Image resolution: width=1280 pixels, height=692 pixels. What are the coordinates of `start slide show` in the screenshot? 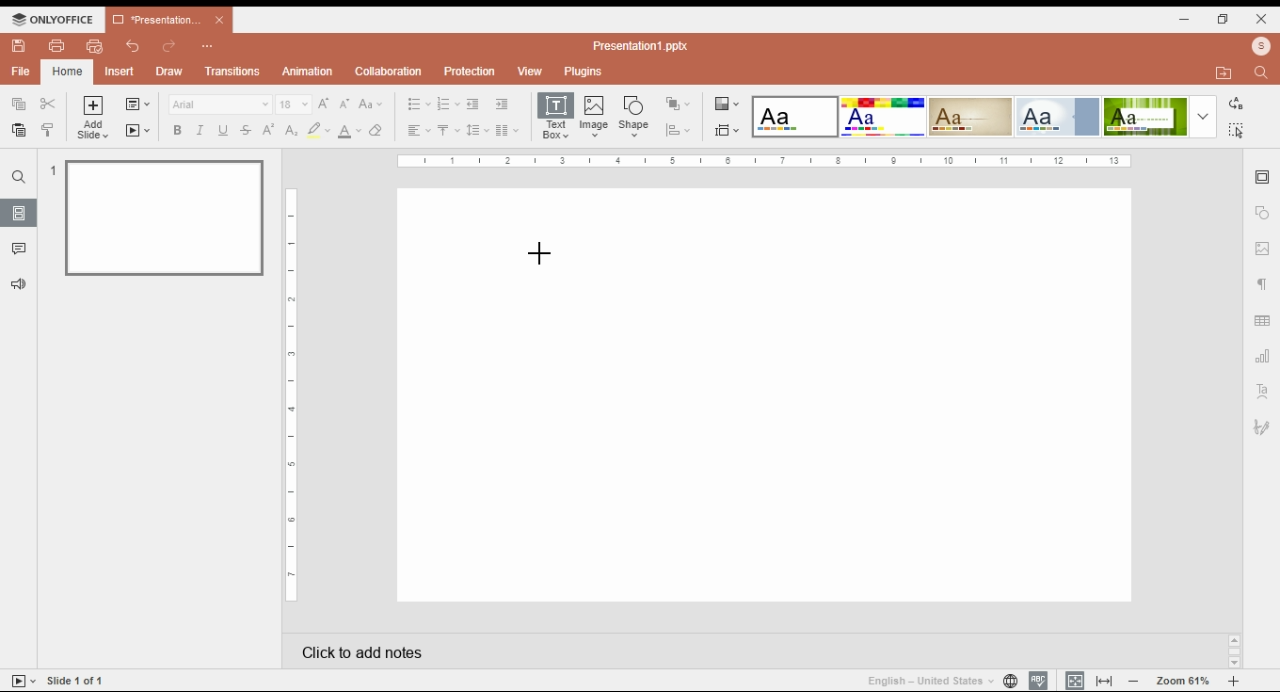 It's located at (138, 131).